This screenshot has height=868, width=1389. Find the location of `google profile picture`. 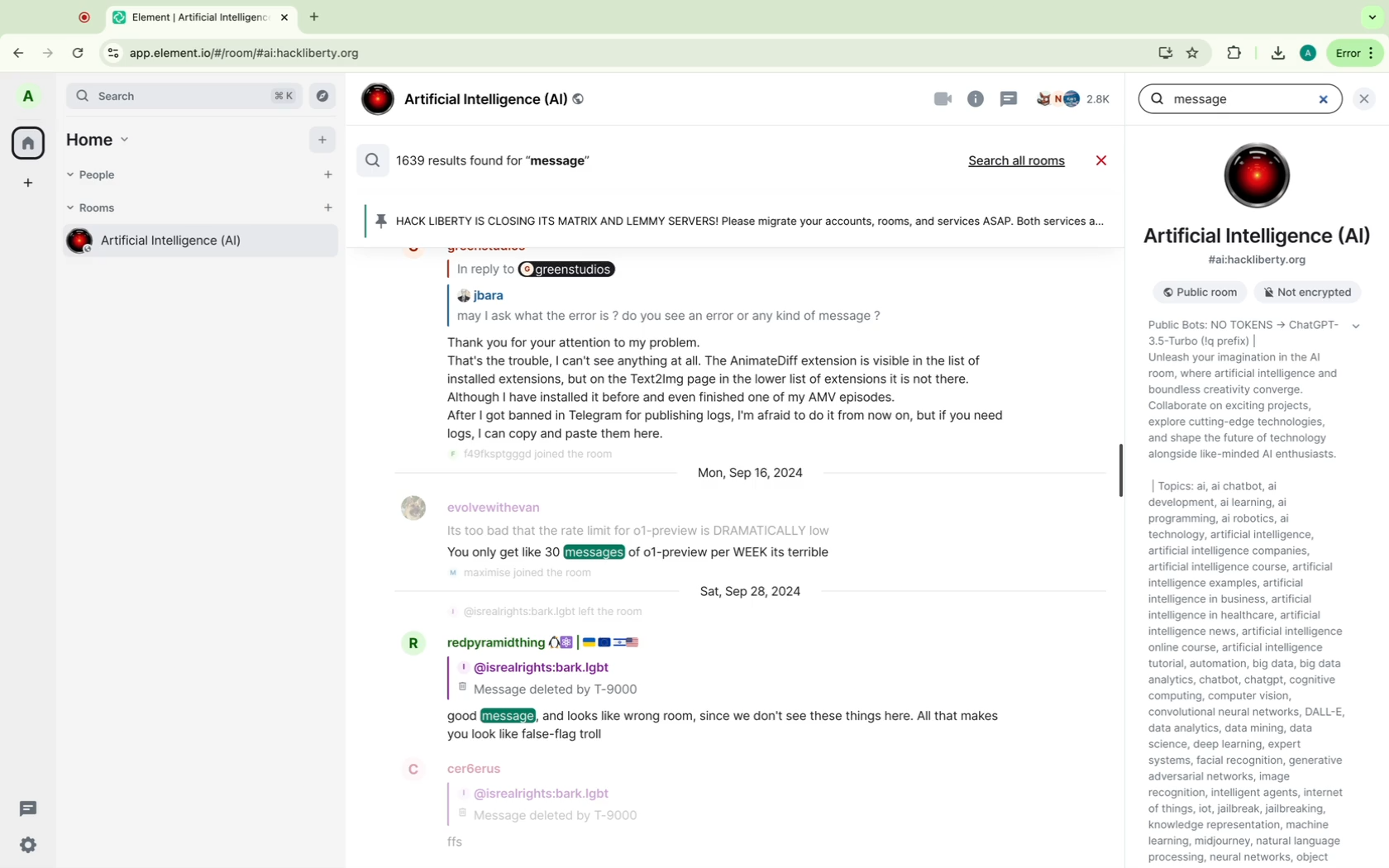

google profile picture is located at coordinates (1307, 53).